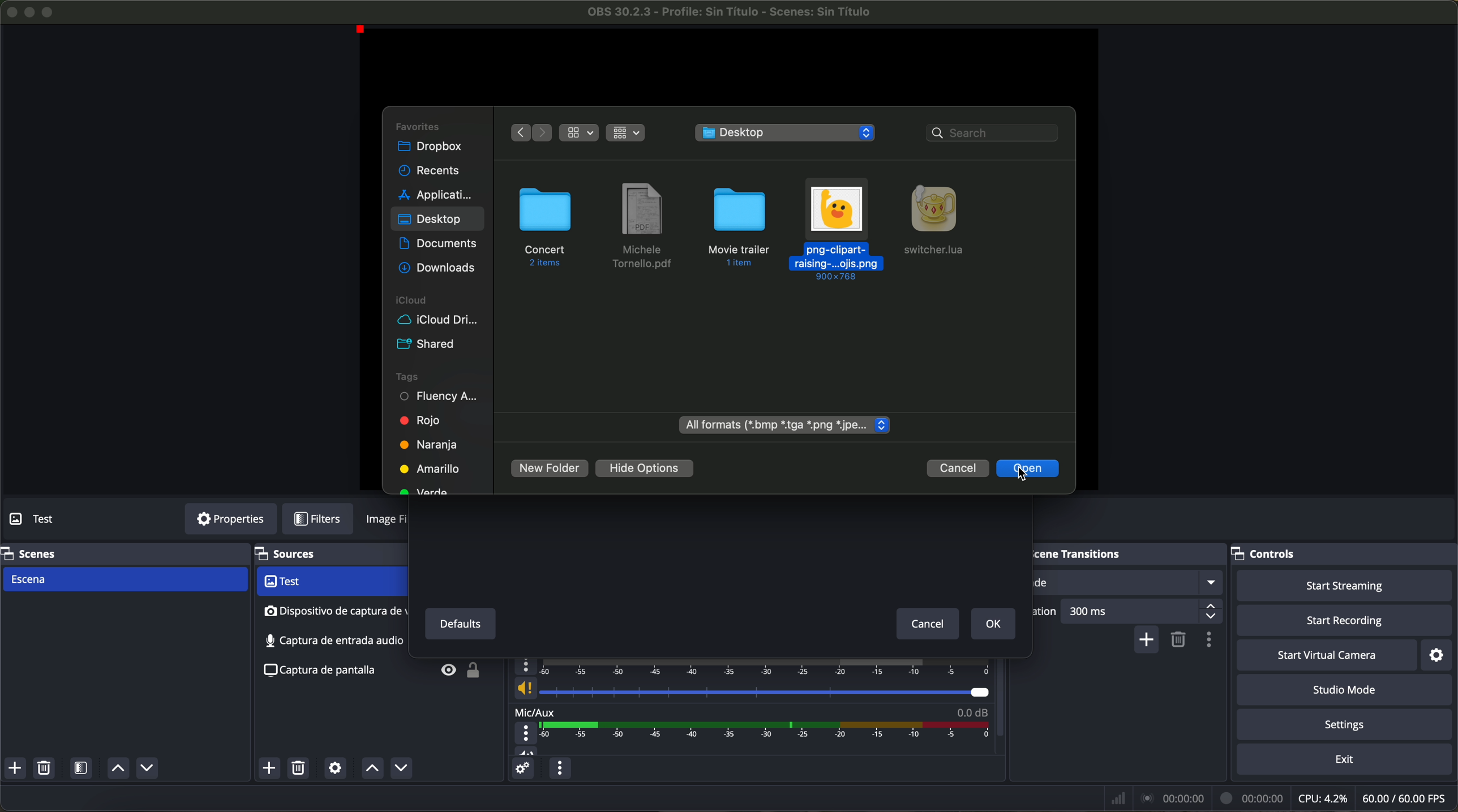  I want to click on fluency academy, so click(440, 397).